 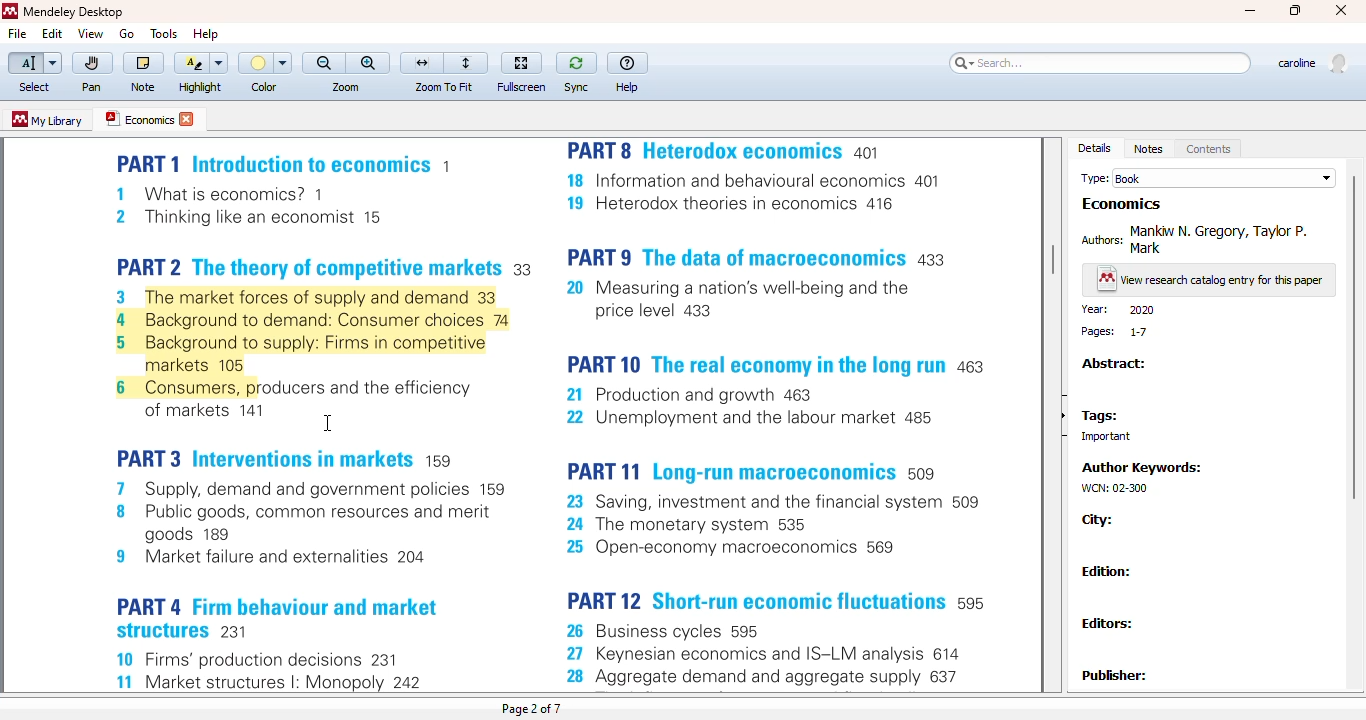 I want to click on edit, so click(x=53, y=34).